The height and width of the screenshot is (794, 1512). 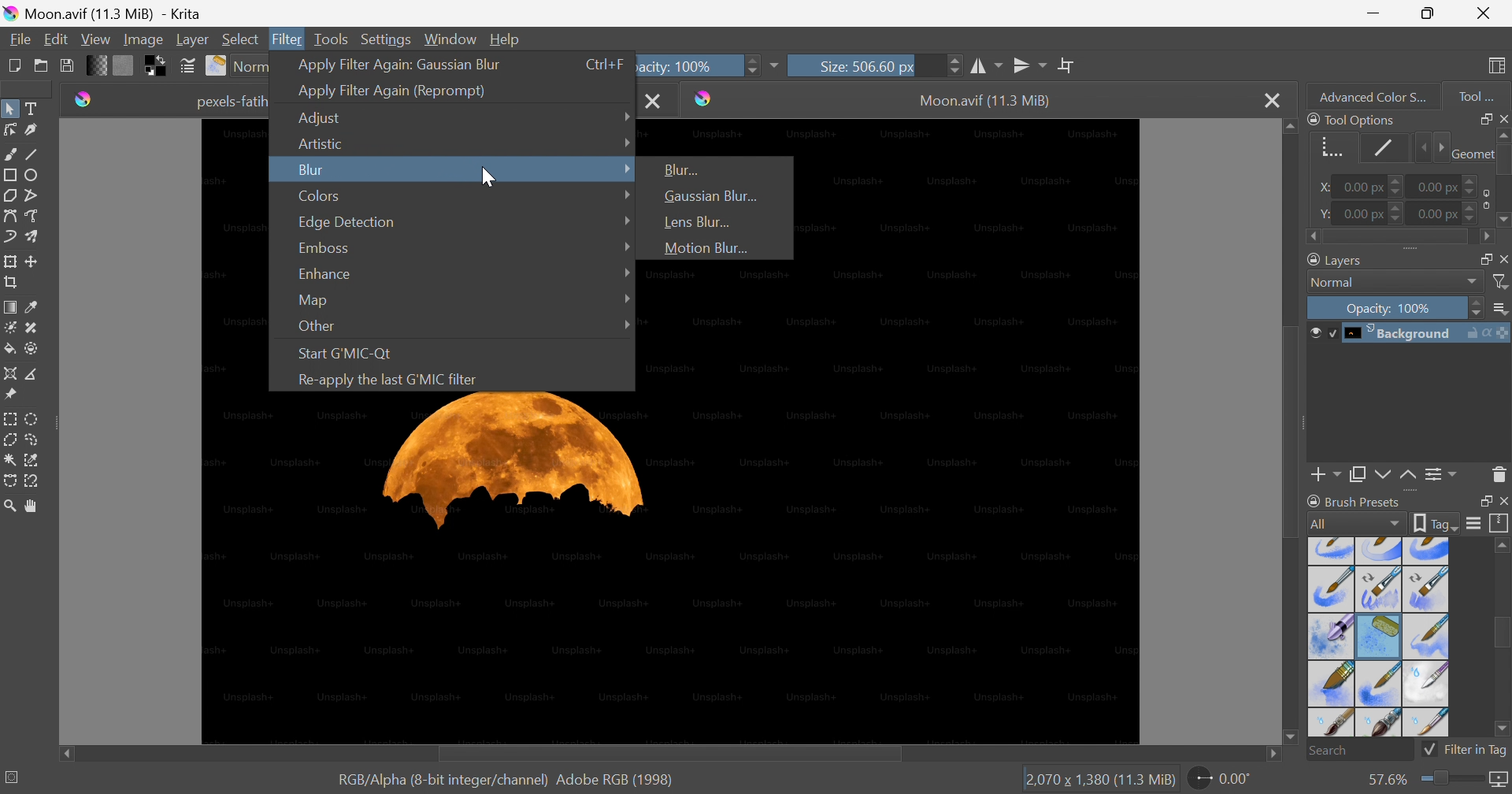 I want to click on 0.00 px, so click(x=1369, y=186).